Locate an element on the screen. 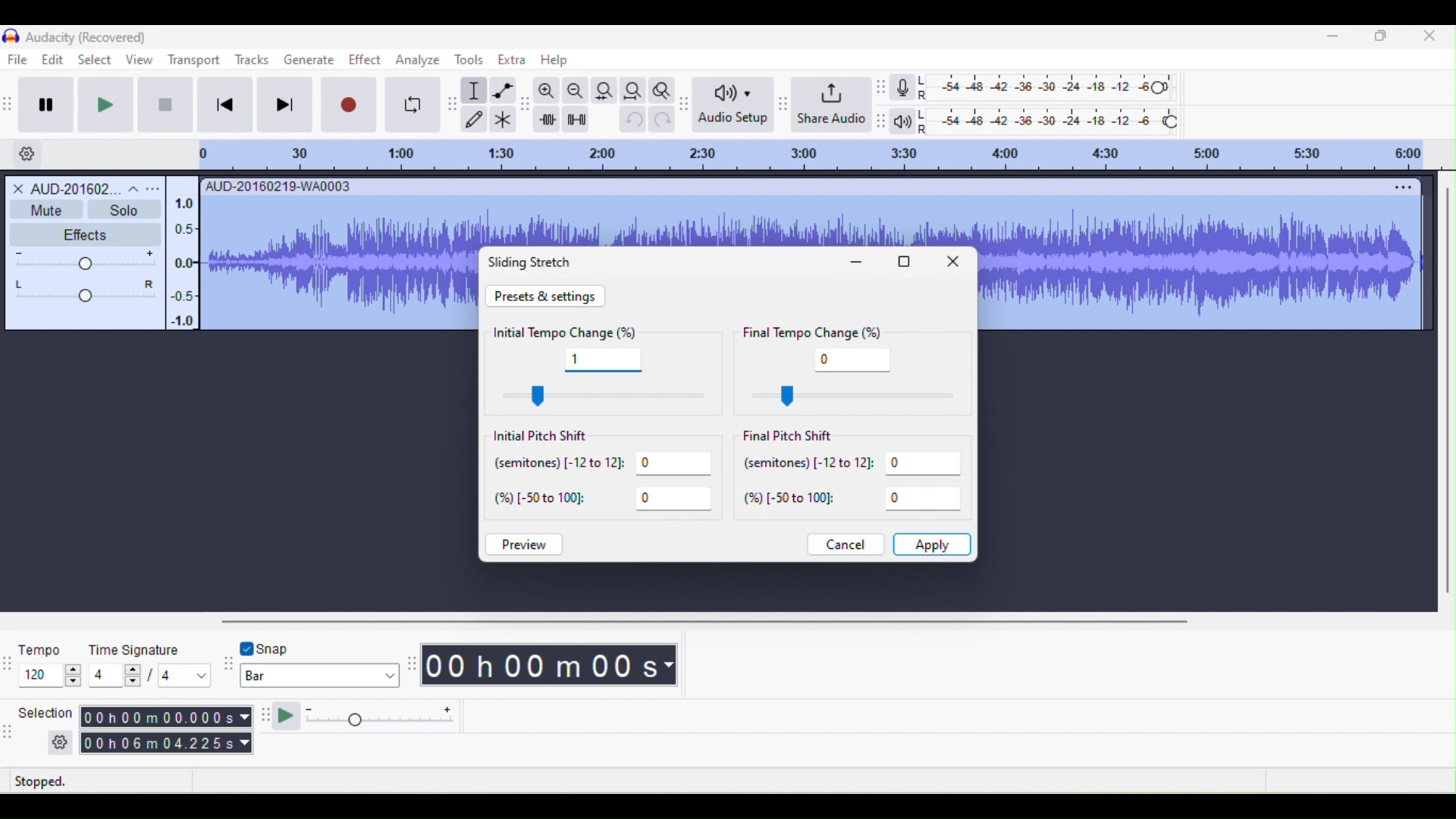 This screenshot has width=1456, height=819. 0 is located at coordinates (854, 359).